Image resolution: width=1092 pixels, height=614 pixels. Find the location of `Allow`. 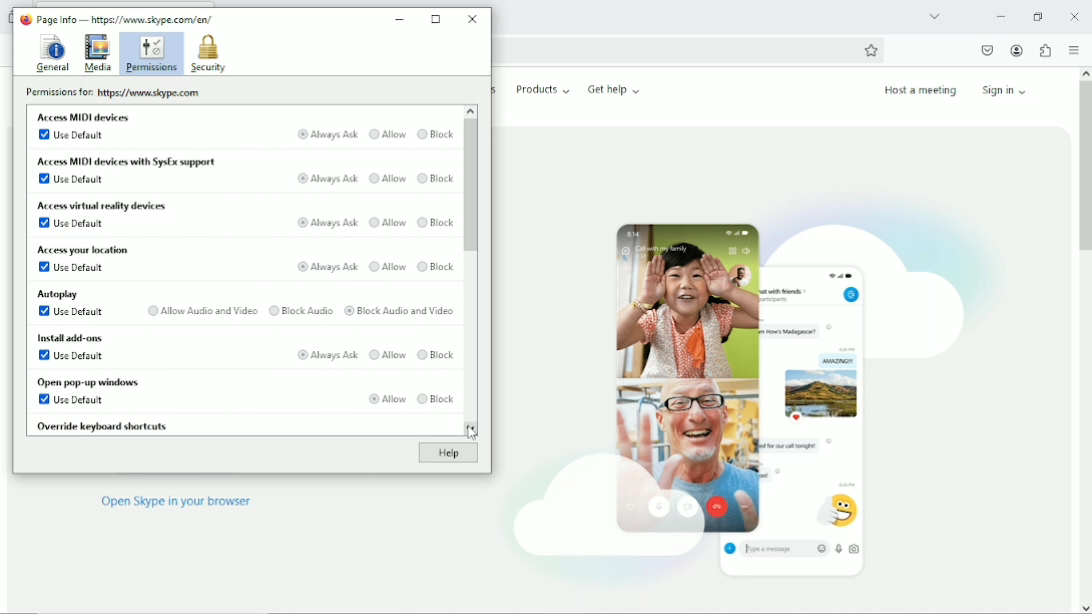

Allow is located at coordinates (387, 179).